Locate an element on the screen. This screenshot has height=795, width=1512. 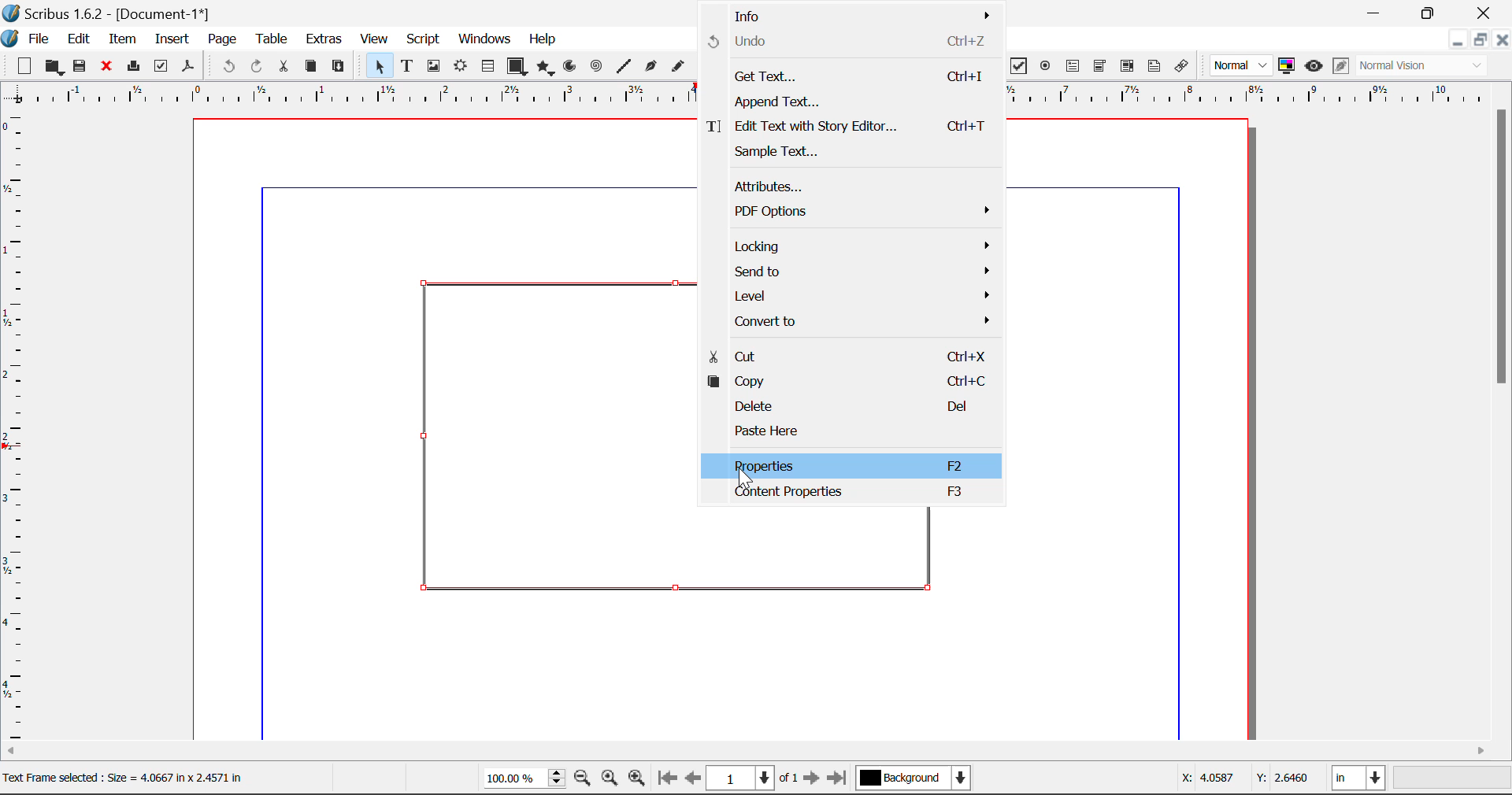
Preview Mode is located at coordinates (1314, 66).